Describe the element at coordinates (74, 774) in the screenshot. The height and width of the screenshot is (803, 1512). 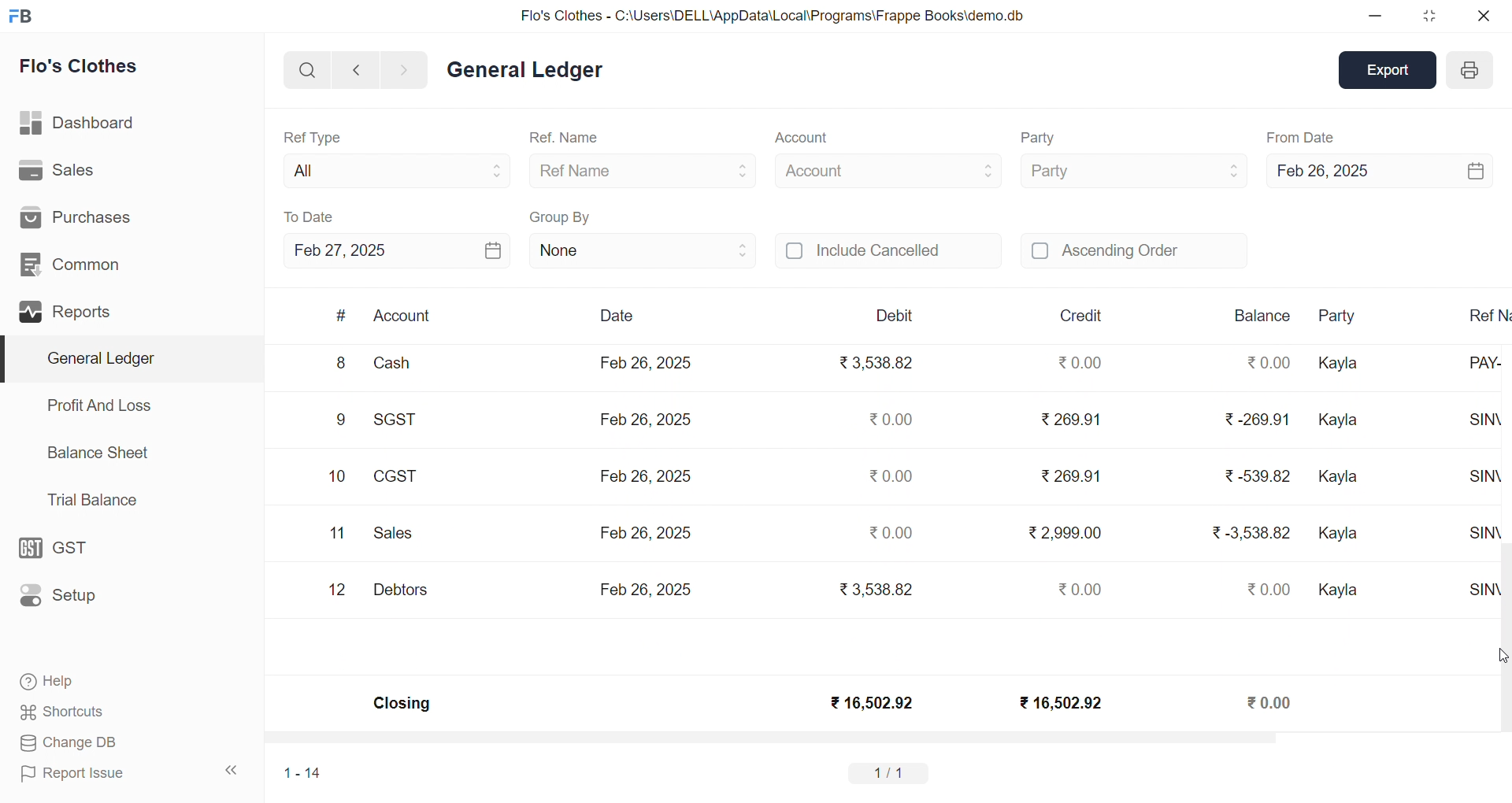
I see `Report Issue` at that location.